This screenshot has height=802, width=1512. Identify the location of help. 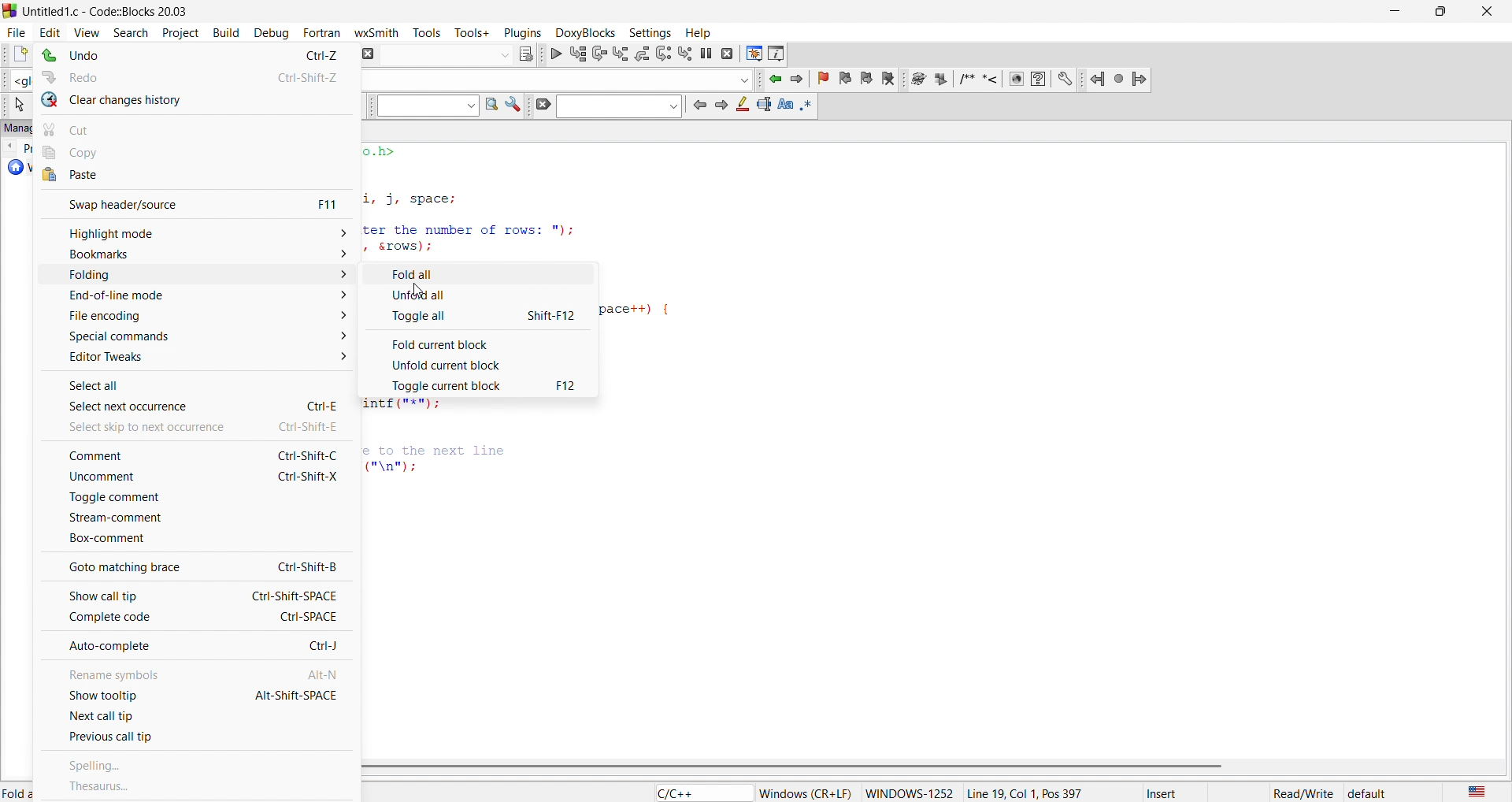
(696, 32).